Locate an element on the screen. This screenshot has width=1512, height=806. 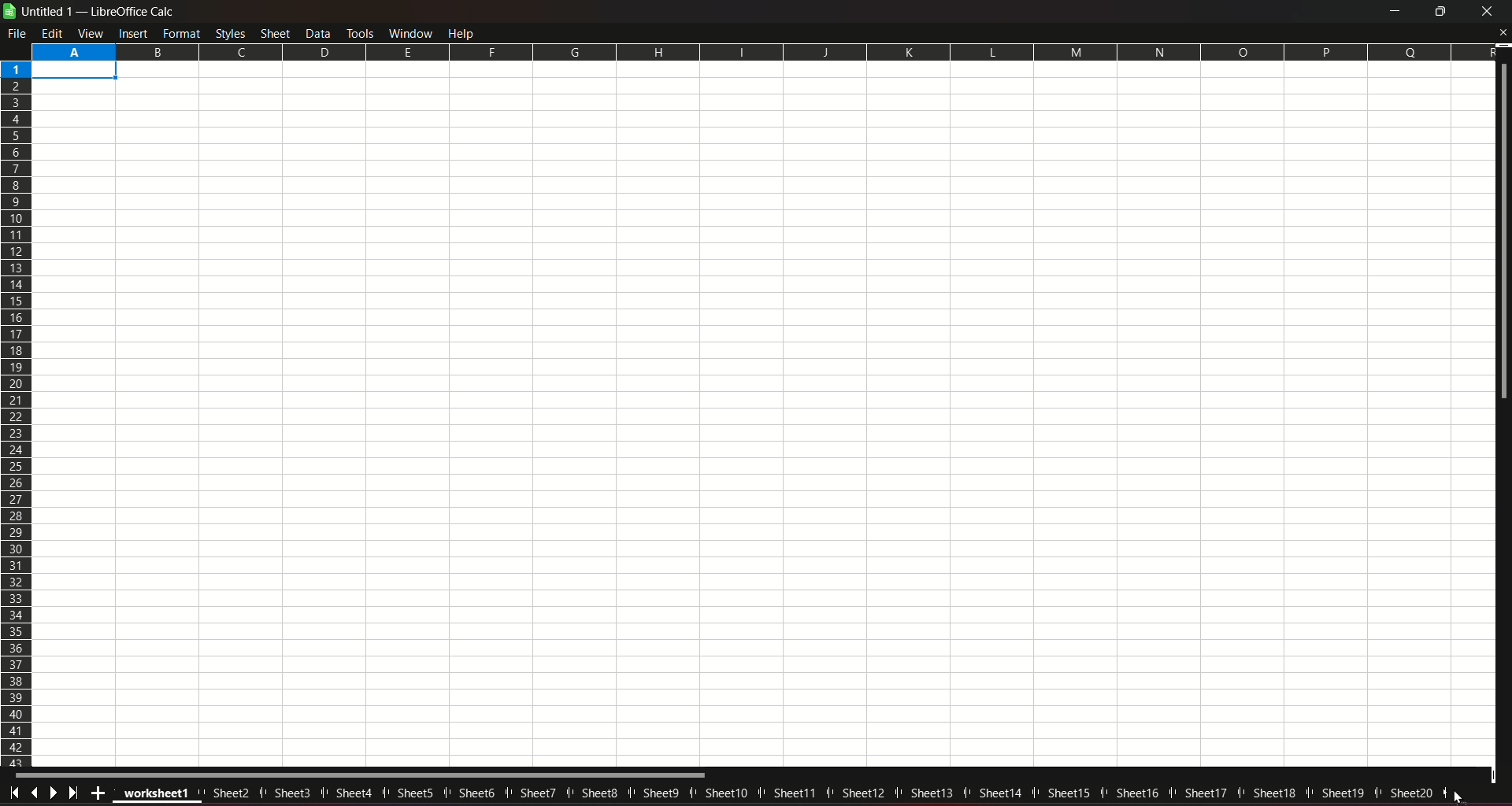
Styles is located at coordinates (230, 33).